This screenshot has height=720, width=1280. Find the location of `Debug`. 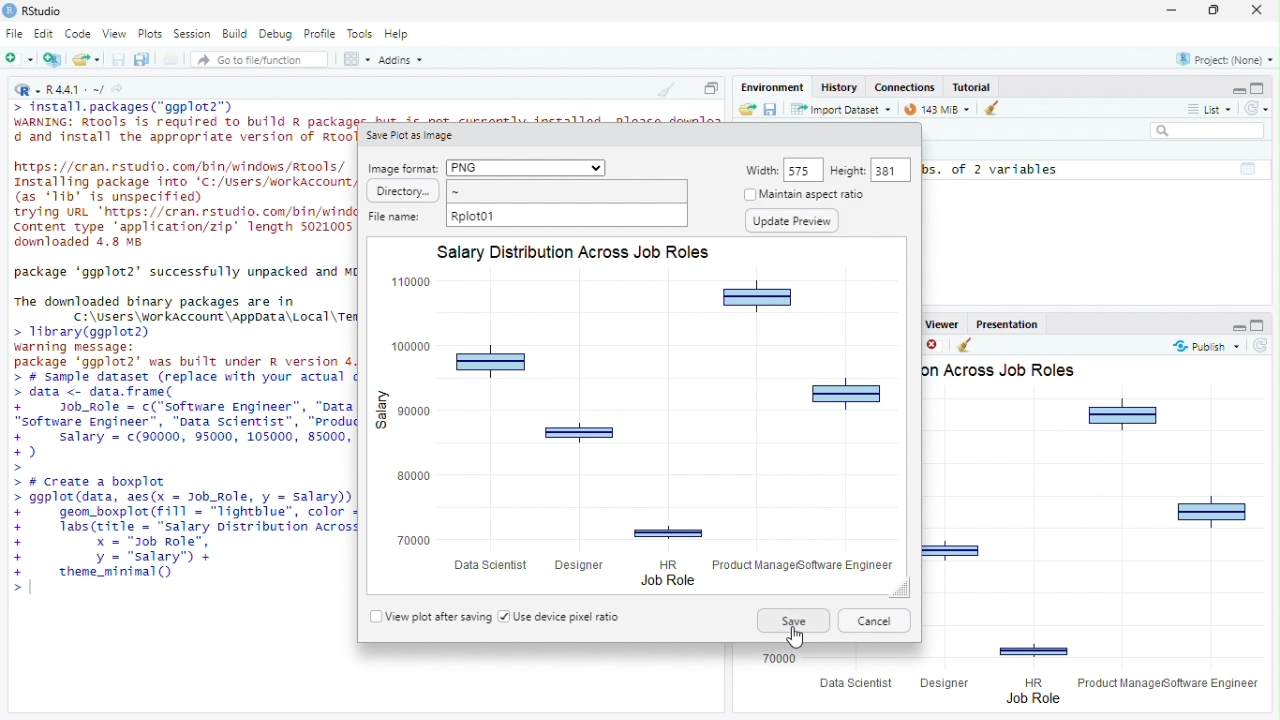

Debug is located at coordinates (276, 34).